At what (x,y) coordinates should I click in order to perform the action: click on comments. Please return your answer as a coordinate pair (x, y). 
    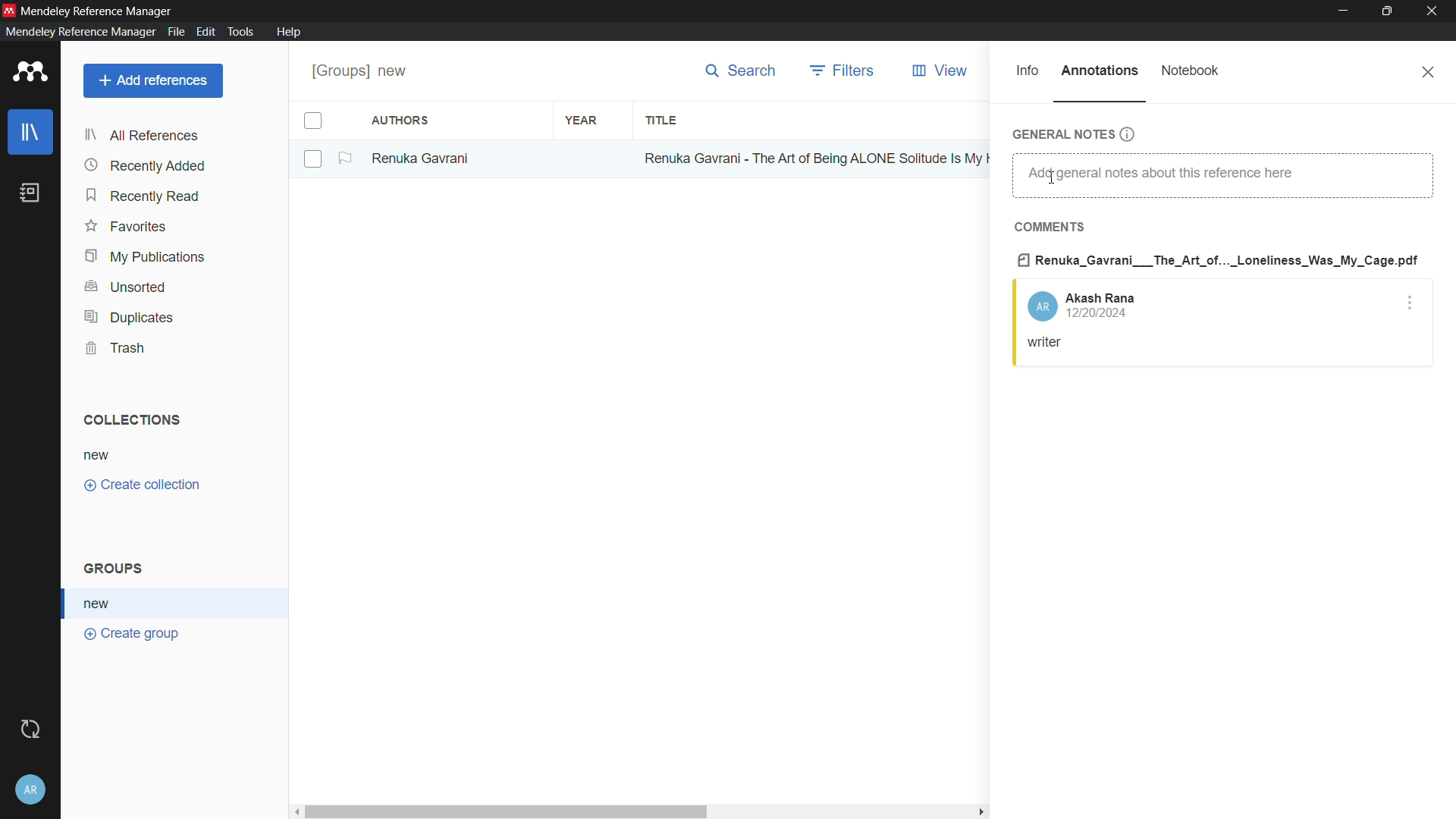
    Looking at the image, I should click on (1052, 227).